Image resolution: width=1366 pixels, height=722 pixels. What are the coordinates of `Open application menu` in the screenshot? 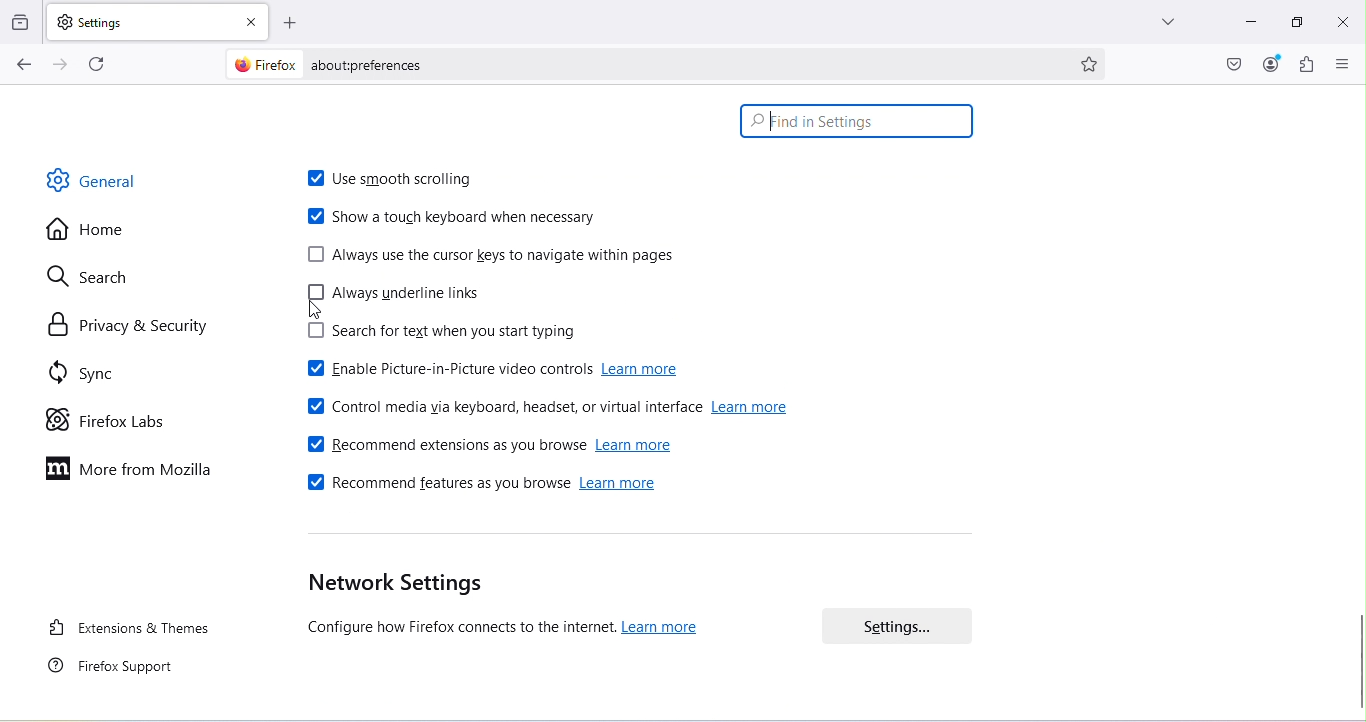 It's located at (1340, 64).